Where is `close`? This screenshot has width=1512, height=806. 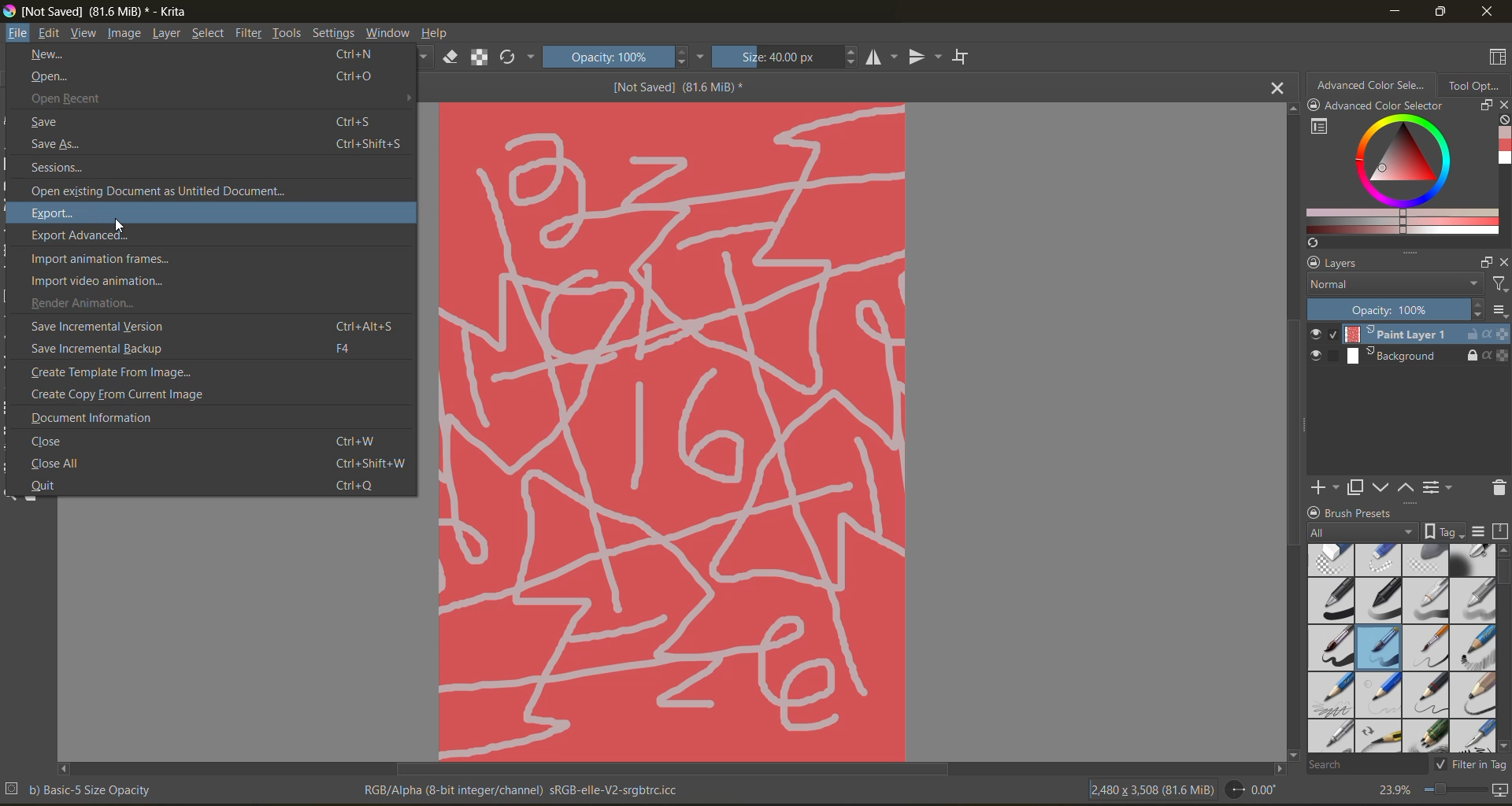 close is located at coordinates (1503, 262).